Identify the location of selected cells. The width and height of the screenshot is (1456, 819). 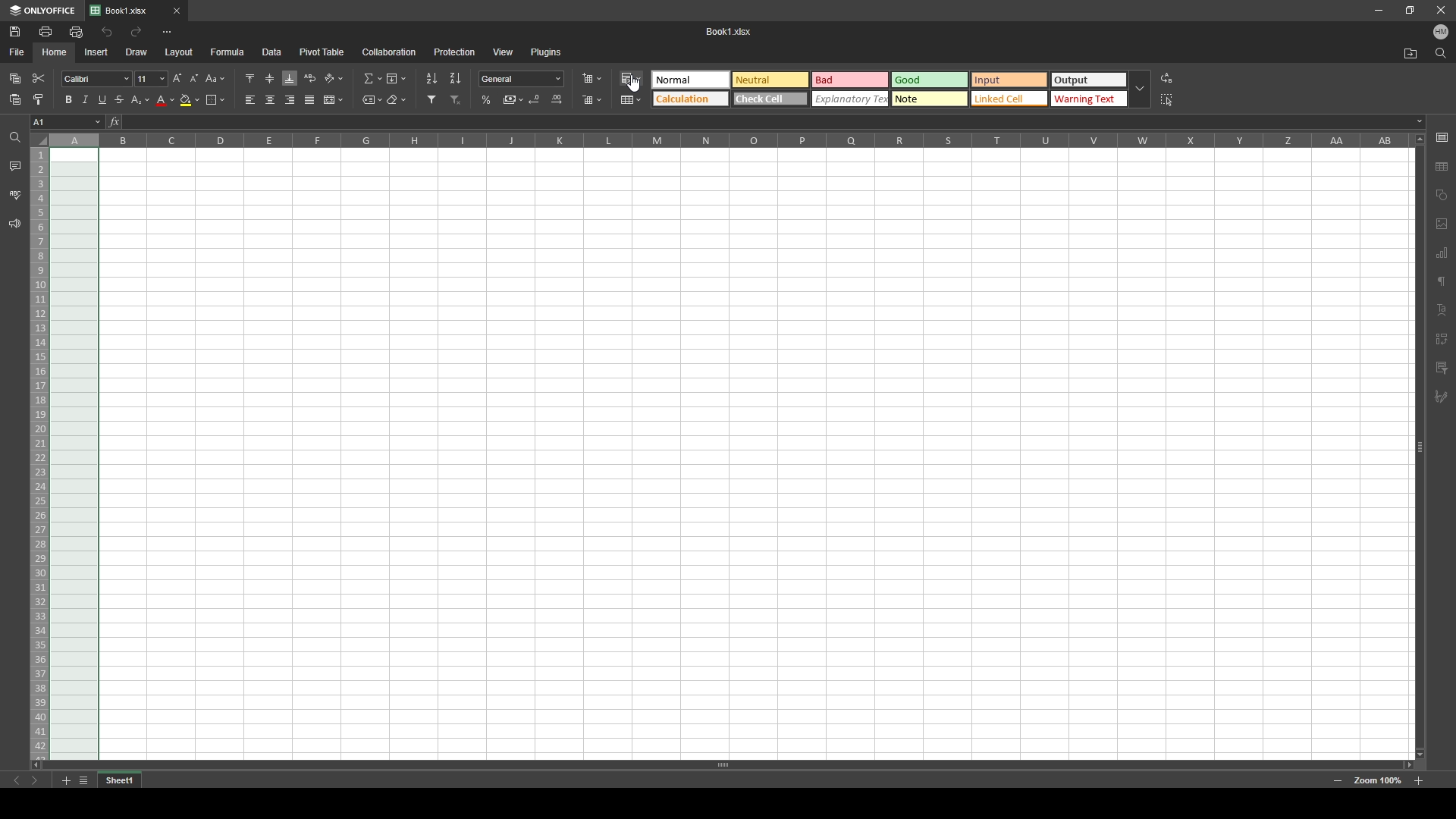
(74, 454).